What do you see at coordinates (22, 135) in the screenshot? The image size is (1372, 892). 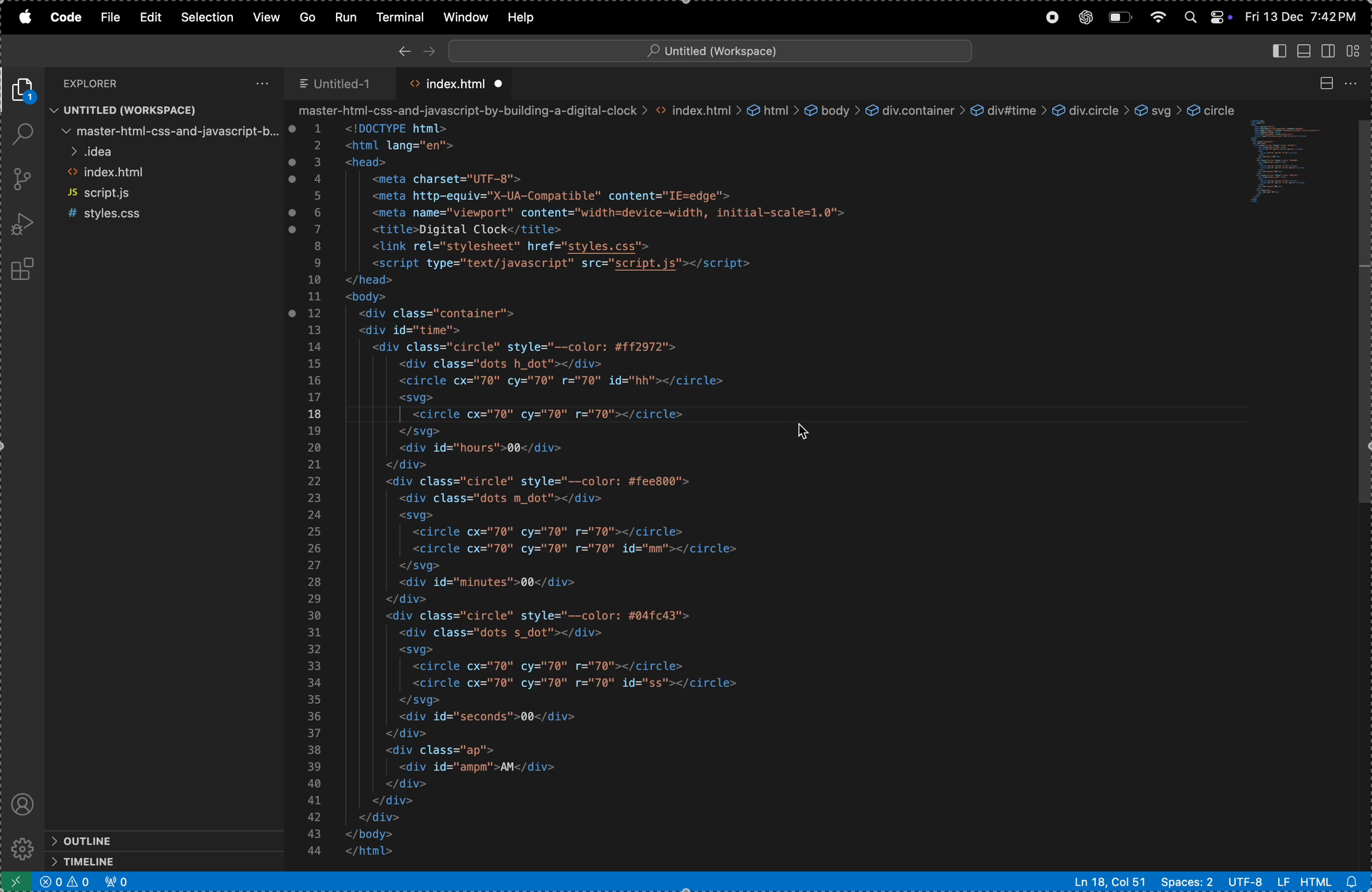 I see `search` at bounding box center [22, 135].